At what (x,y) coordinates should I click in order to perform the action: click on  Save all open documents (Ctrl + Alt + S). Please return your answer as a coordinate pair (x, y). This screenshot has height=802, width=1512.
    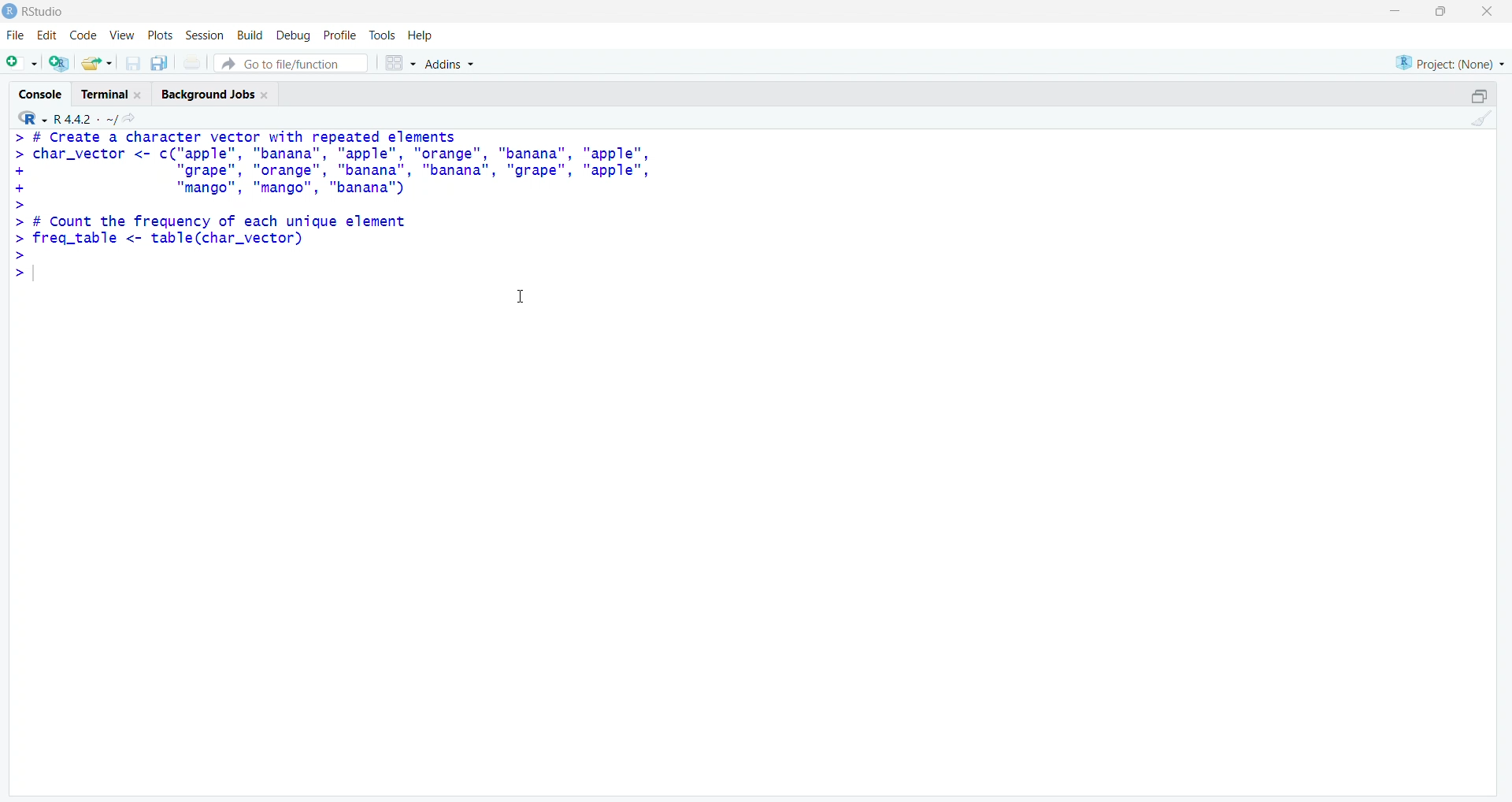
    Looking at the image, I should click on (160, 62).